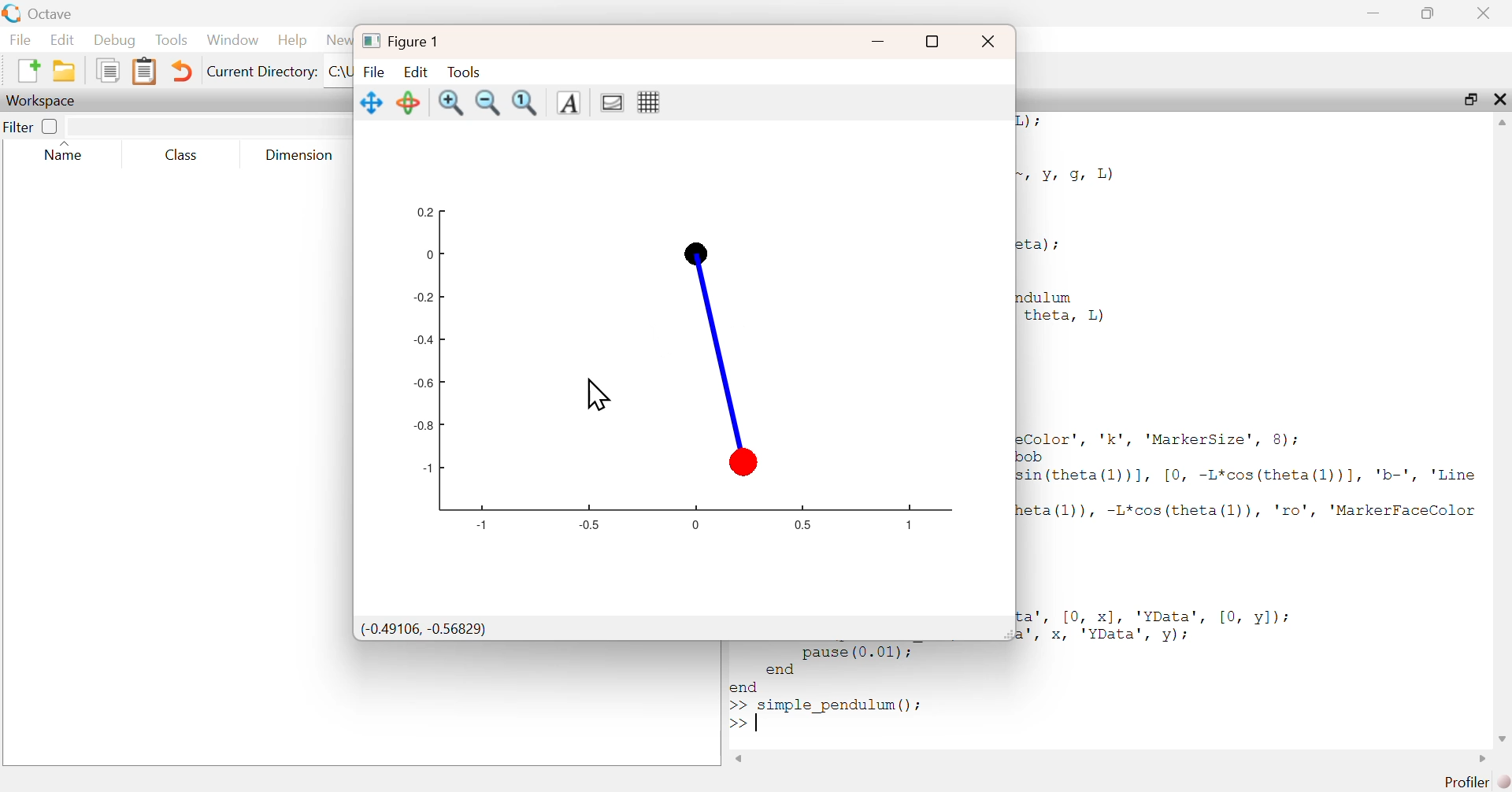 The image size is (1512, 792). What do you see at coordinates (13, 13) in the screenshot?
I see `logo` at bounding box center [13, 13].